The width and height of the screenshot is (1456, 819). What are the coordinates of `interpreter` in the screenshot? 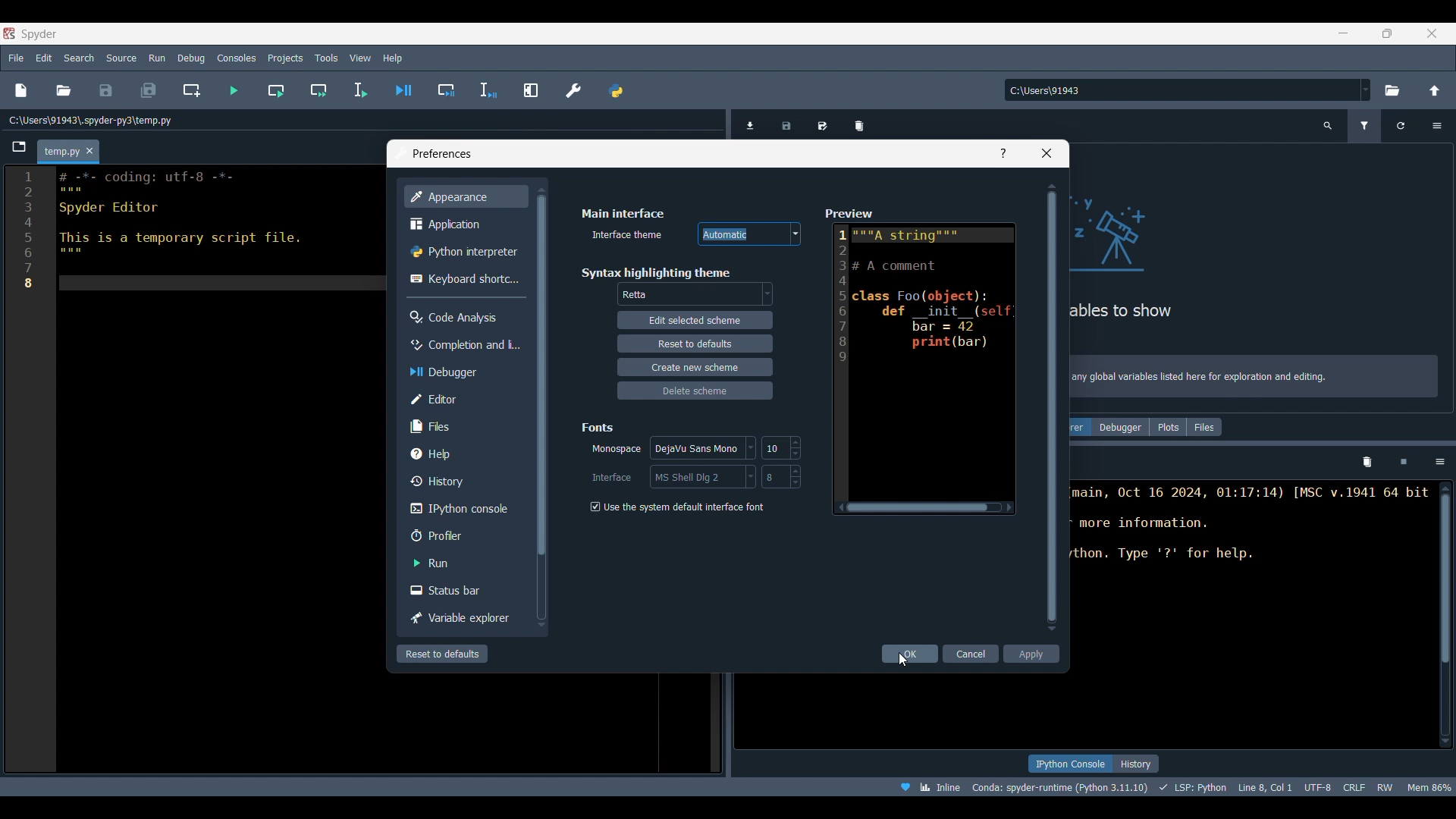 It's located at (1061, 787).